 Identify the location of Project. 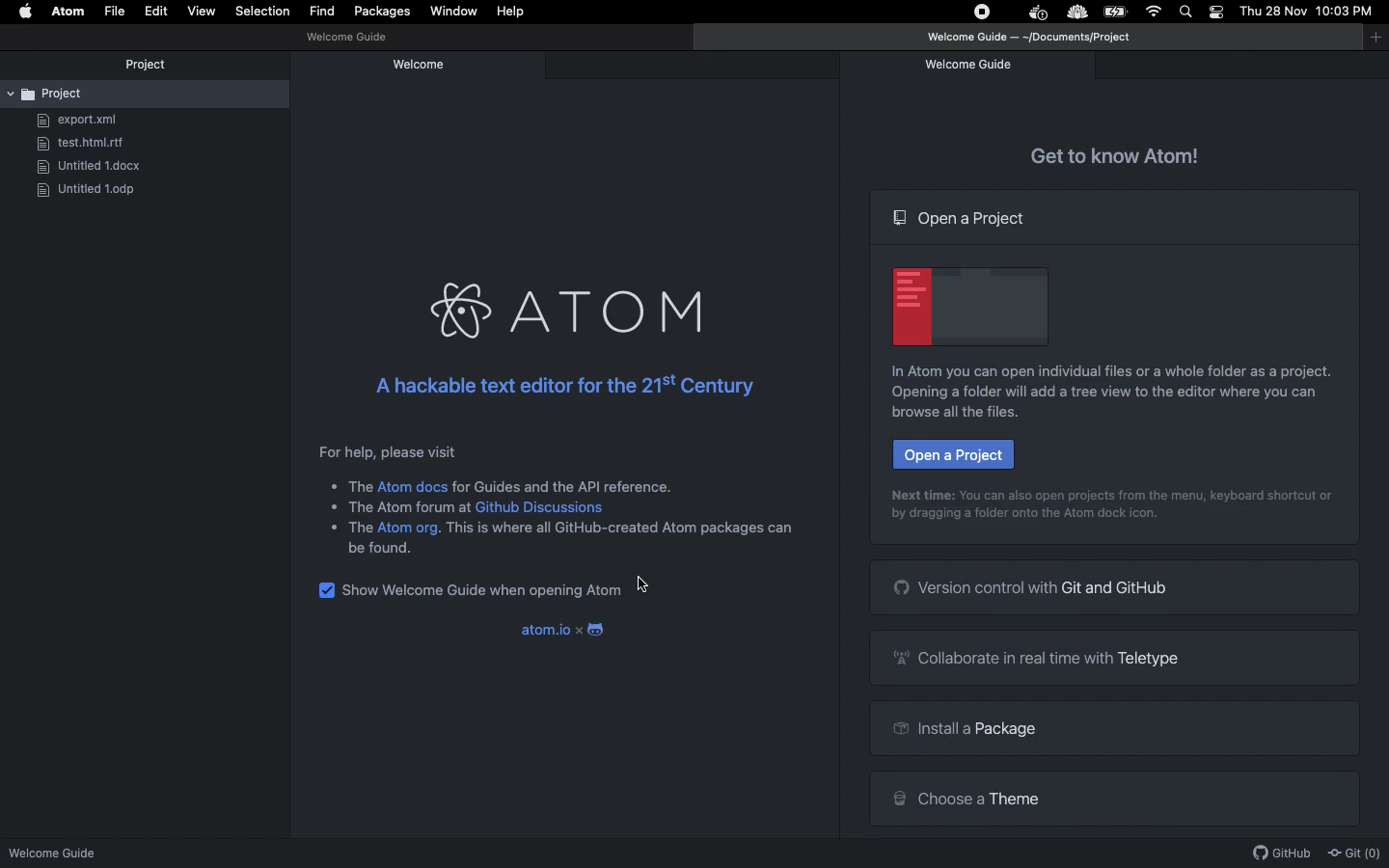
(146, 63).